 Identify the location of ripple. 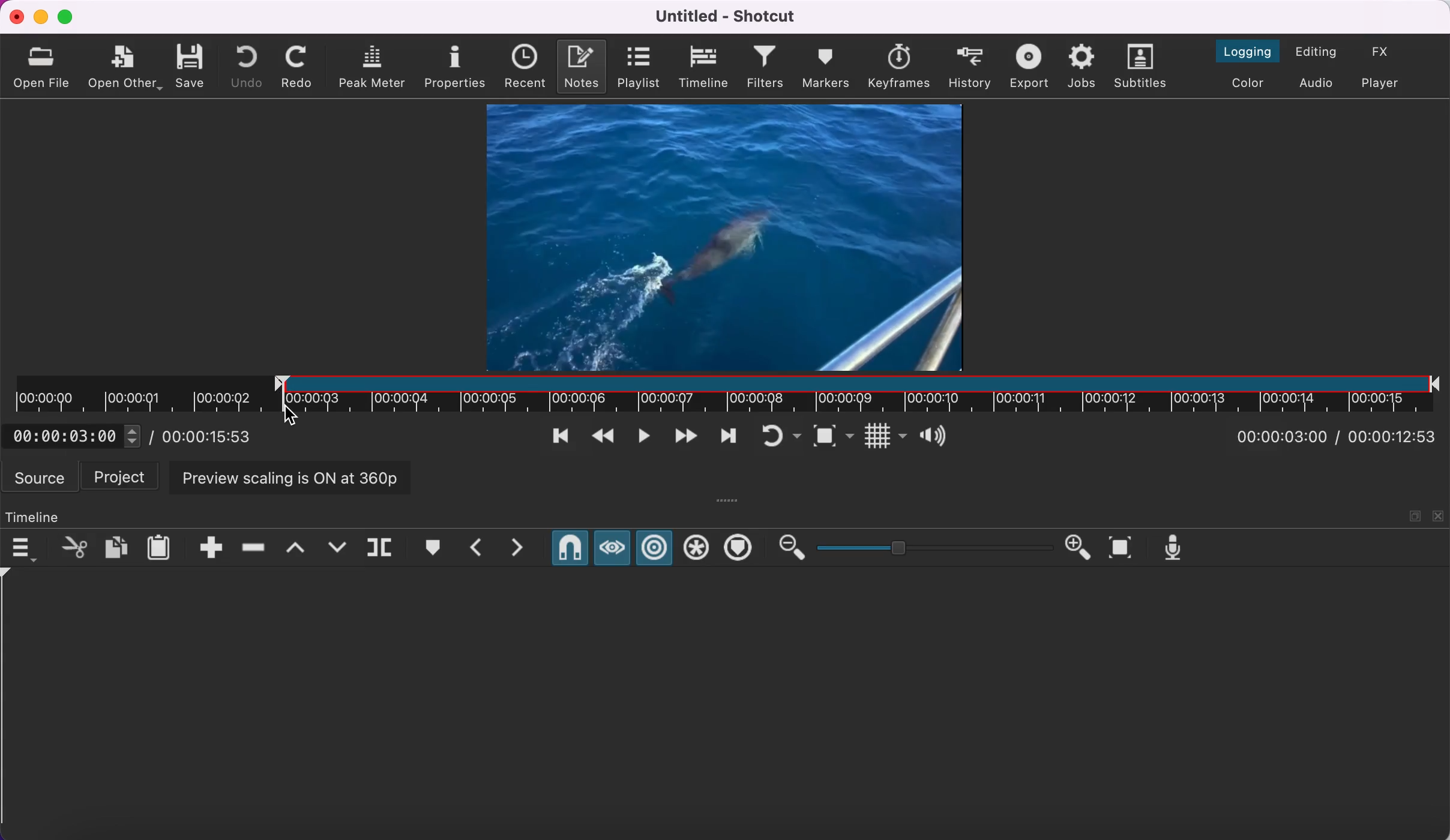
(655, 547).